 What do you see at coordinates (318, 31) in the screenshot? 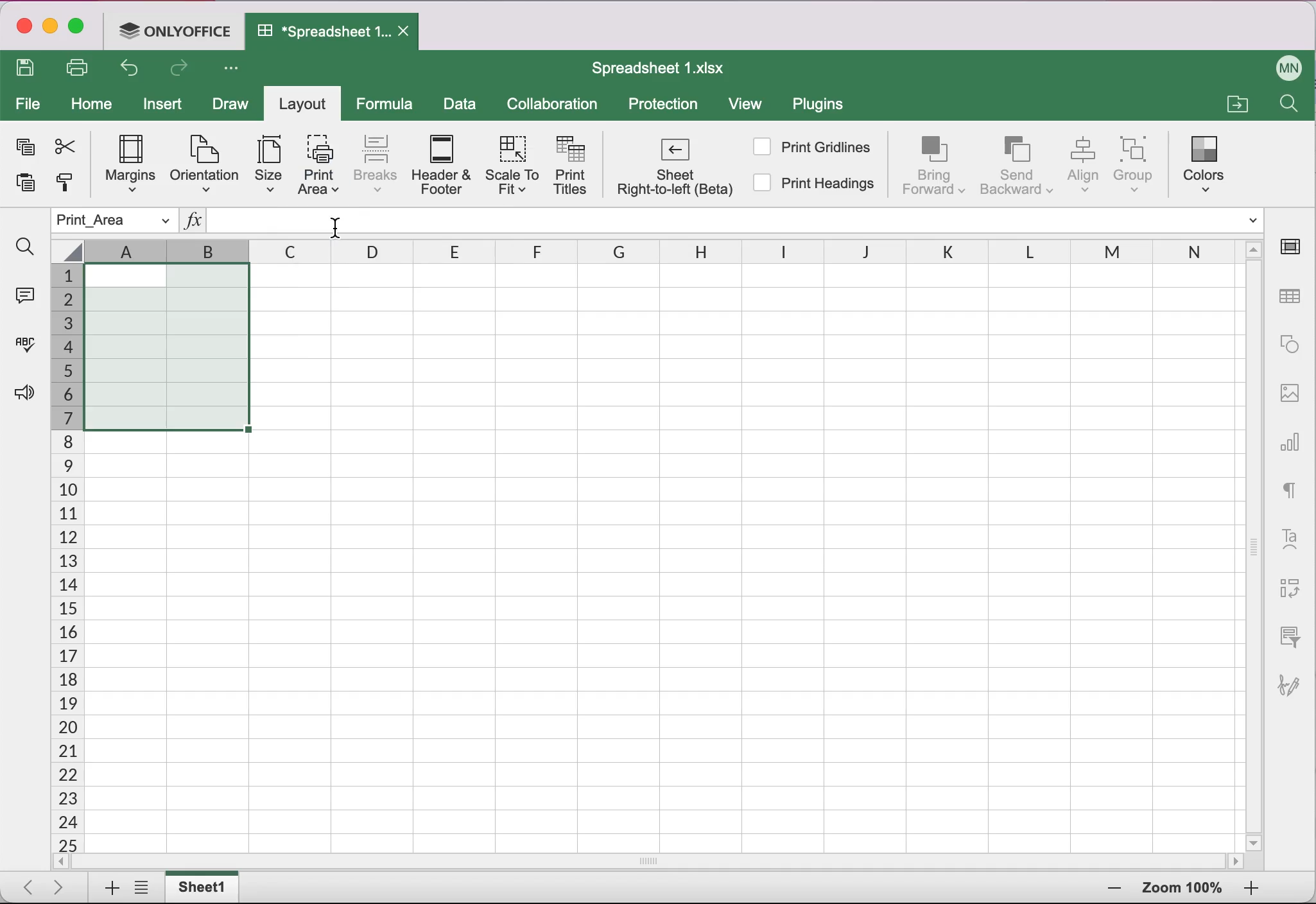
I see `*Spreadsheet 1...` at bounding box center [318, 31].